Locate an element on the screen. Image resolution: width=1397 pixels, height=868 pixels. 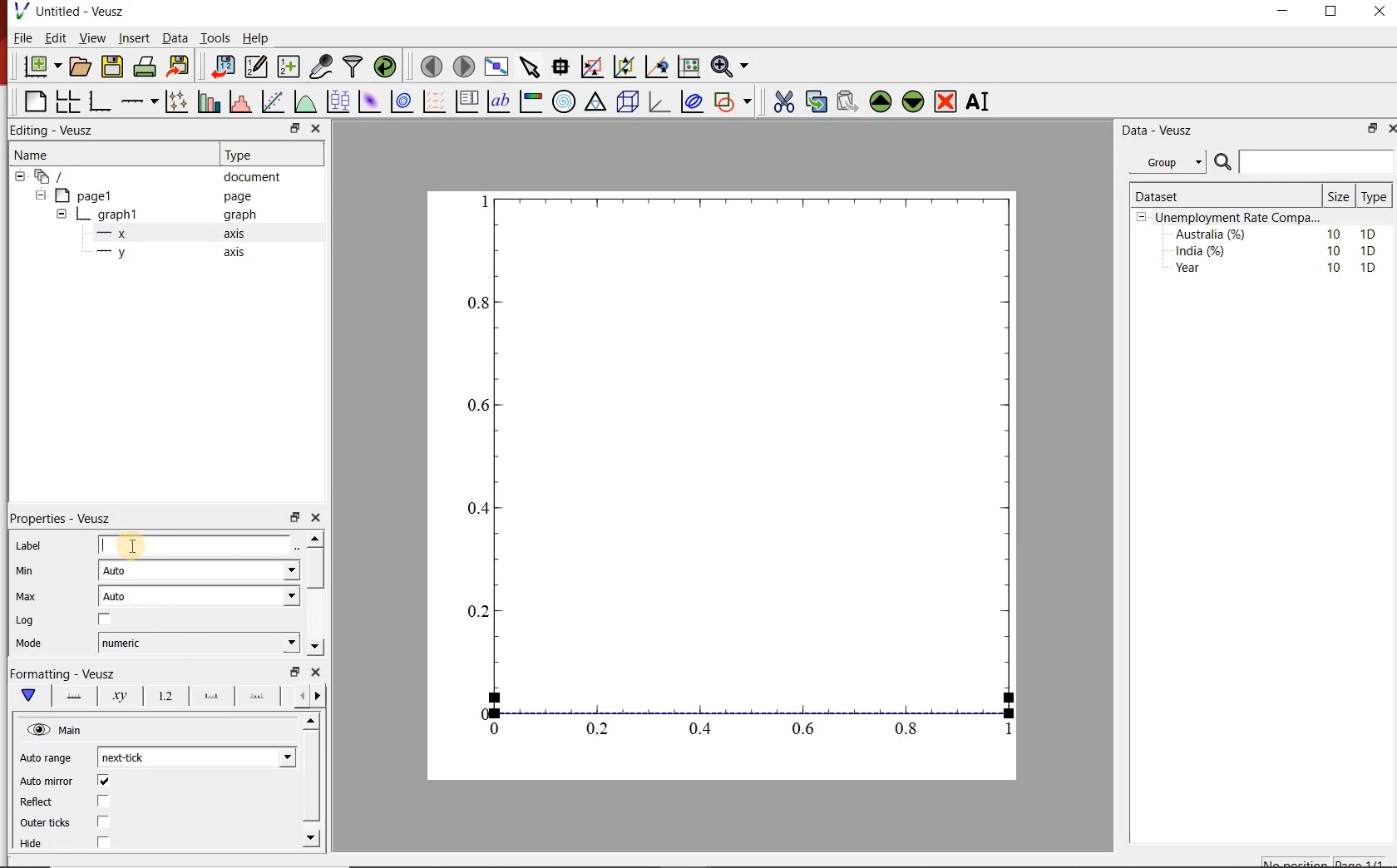
Untitled - Veusz is located at coordinates (68, 10).